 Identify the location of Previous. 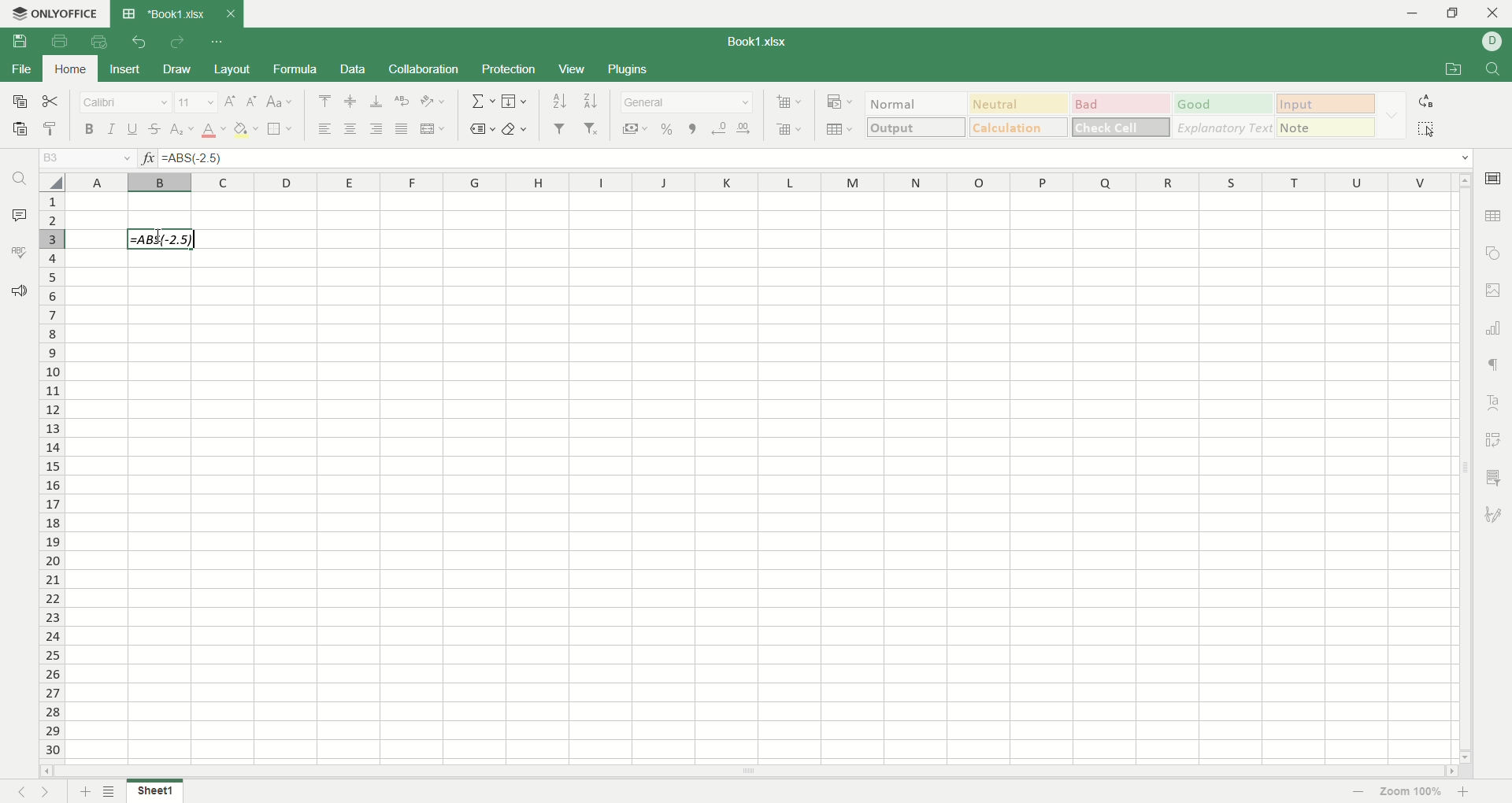
(20, 791).